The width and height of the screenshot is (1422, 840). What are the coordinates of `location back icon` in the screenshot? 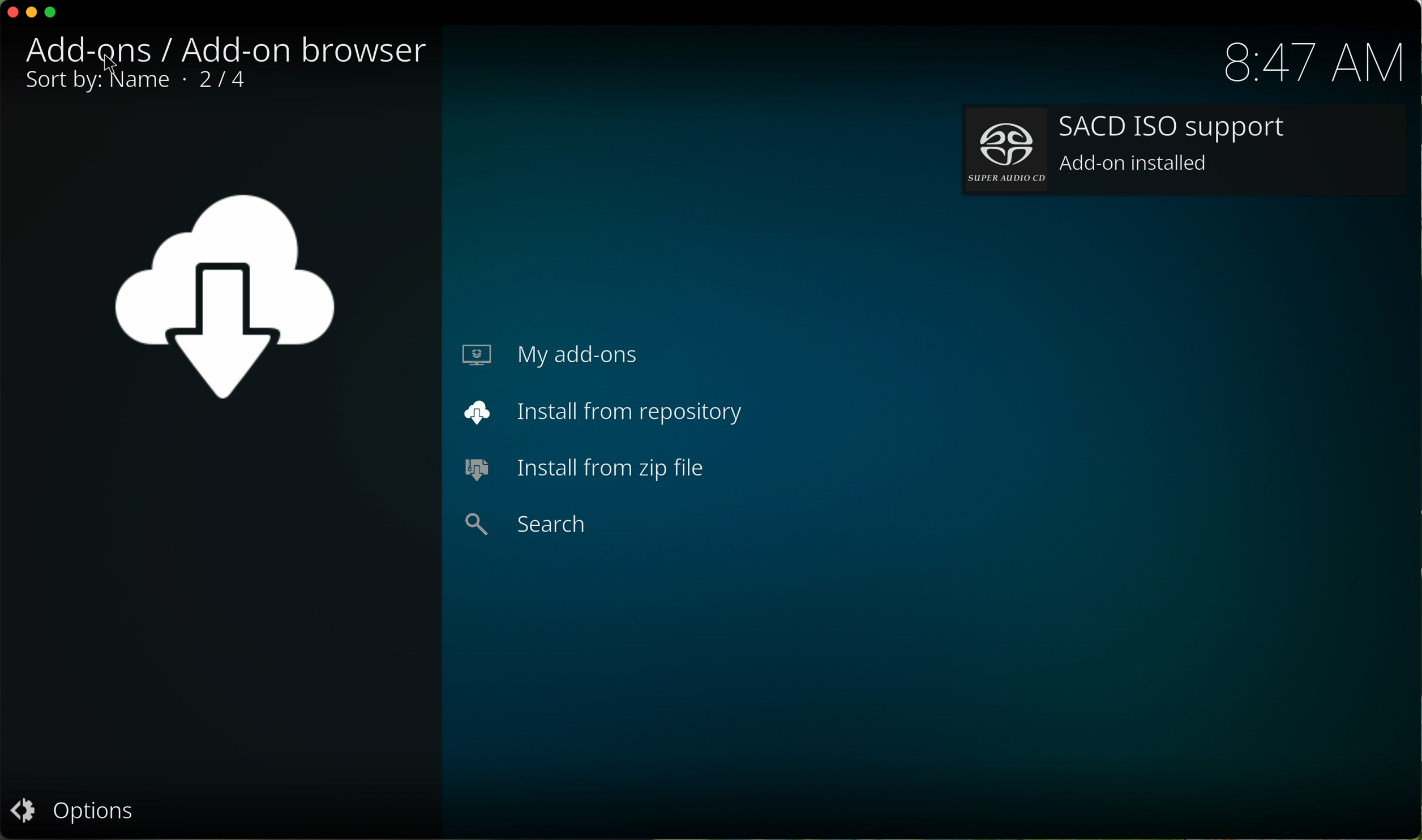 It's located at (225, 296).